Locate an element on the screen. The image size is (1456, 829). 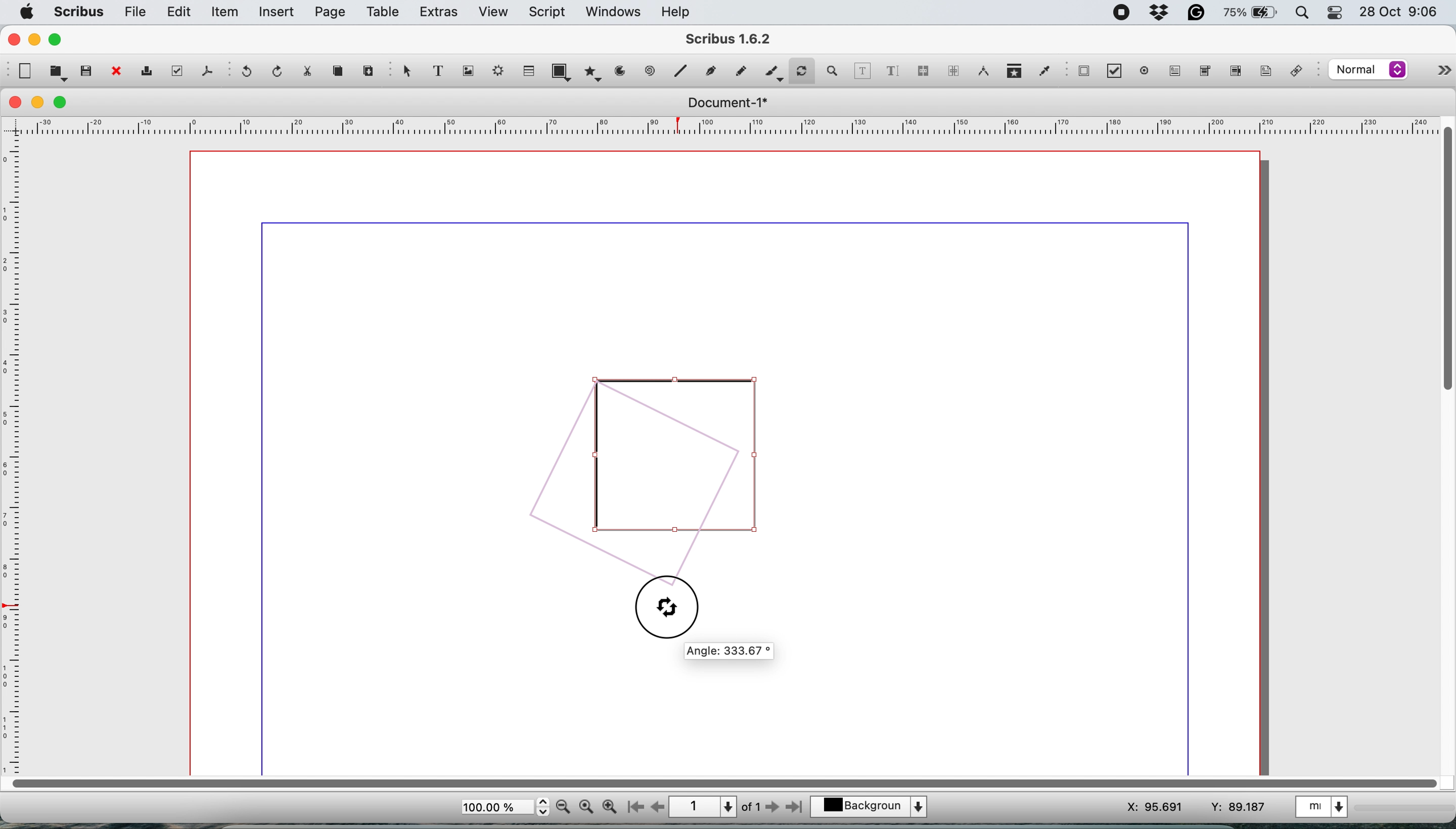
cut is located at coordinates (313, 73).